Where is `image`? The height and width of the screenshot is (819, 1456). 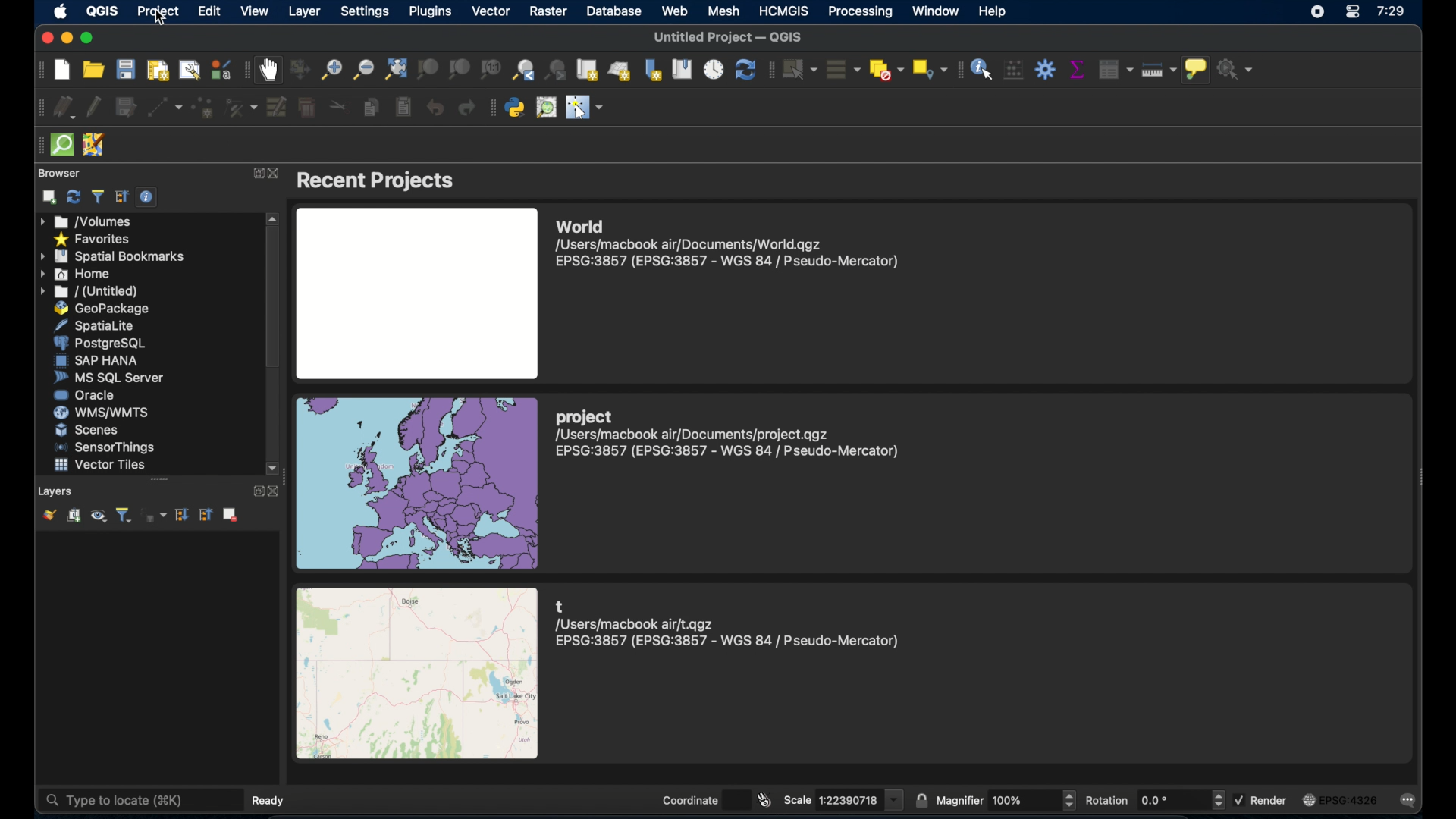
image is located at coordinates (416, 292).